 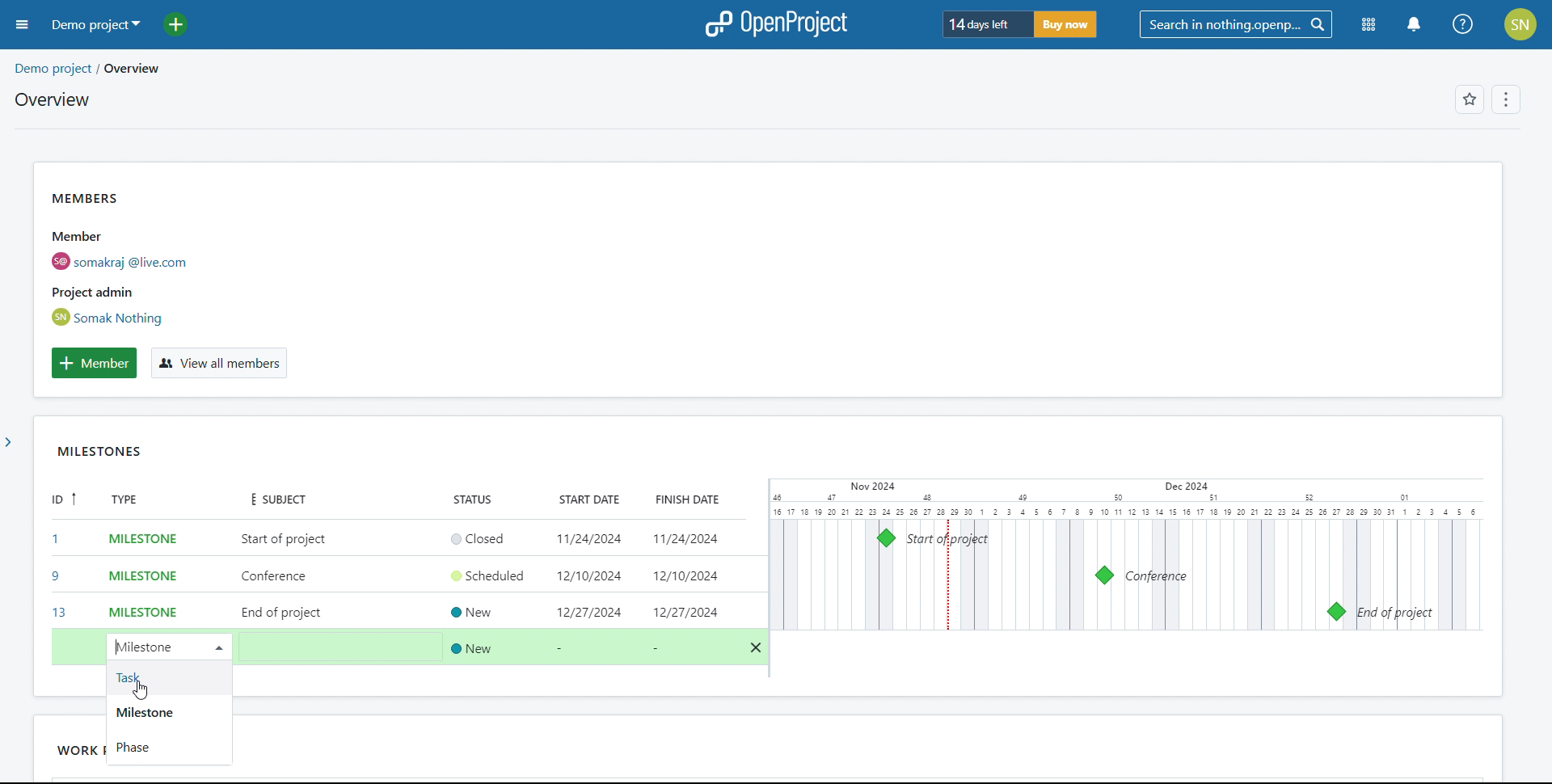 What do you see at coordinates (1488, 687) in the screenshot?
I see `resize widget` at bounding box center [1488, 687].